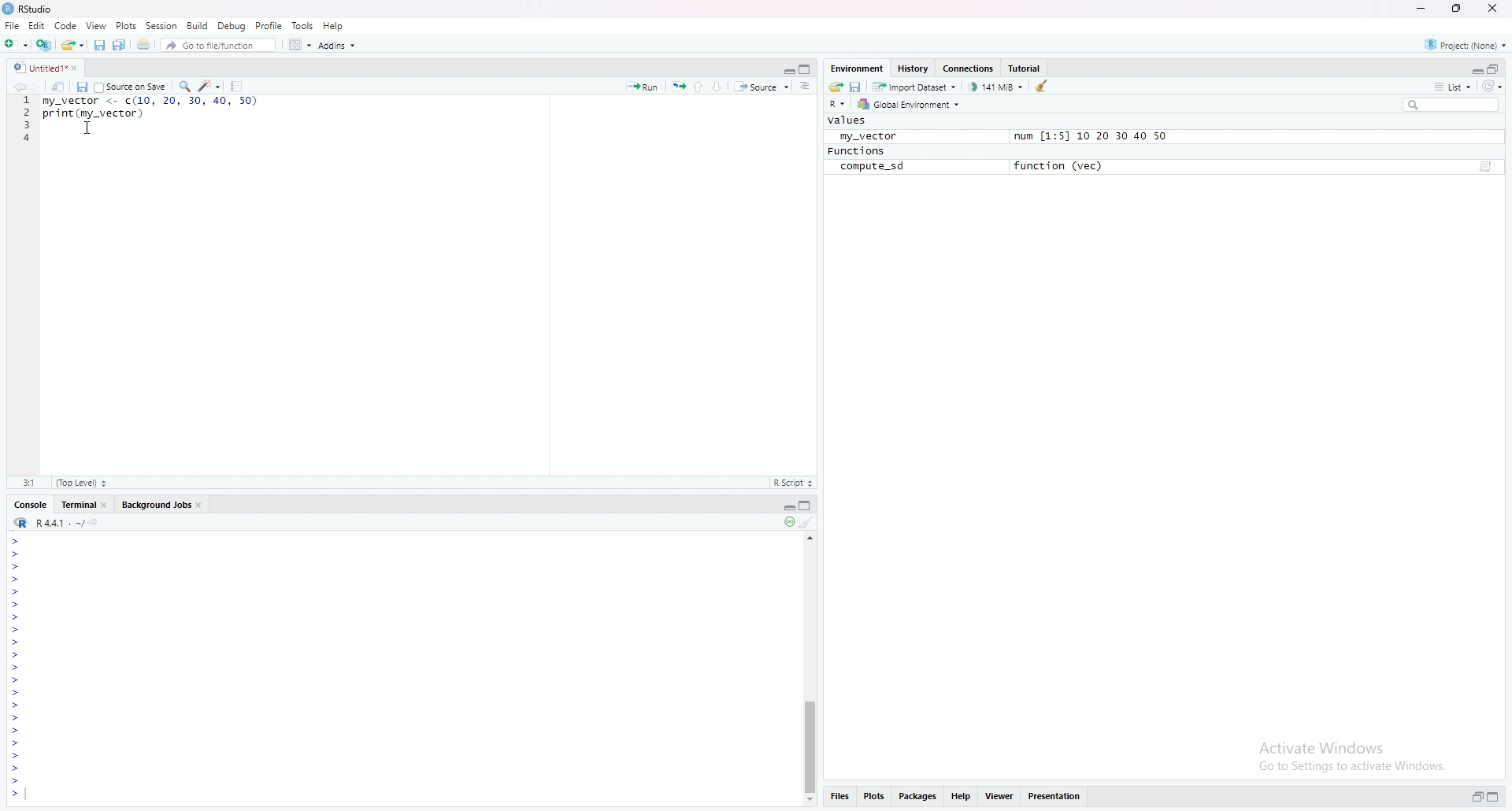  I want to click on Prompt Cursor, so click(16, 591).